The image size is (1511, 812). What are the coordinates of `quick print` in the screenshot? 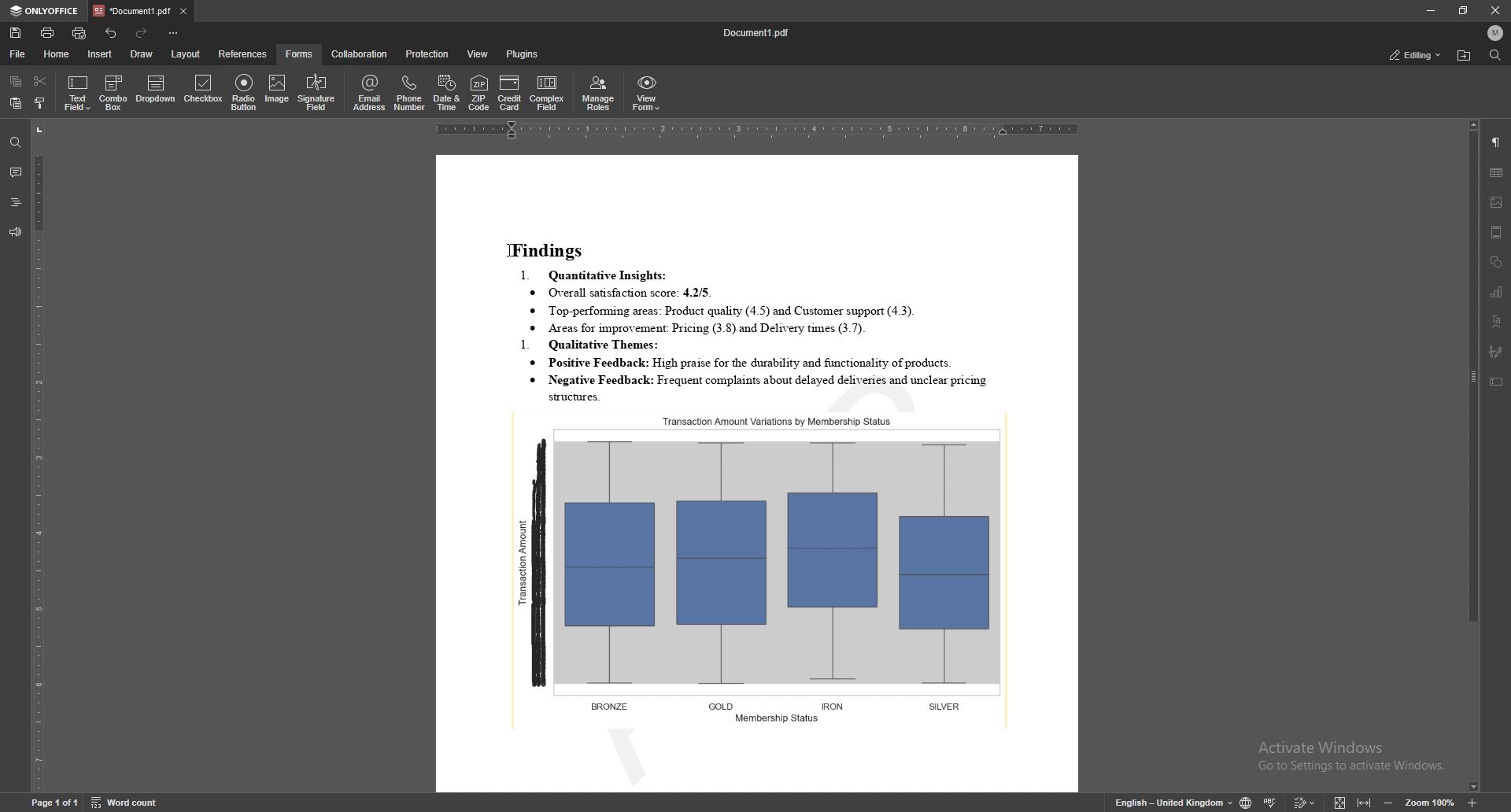 It's located at (79, 34).